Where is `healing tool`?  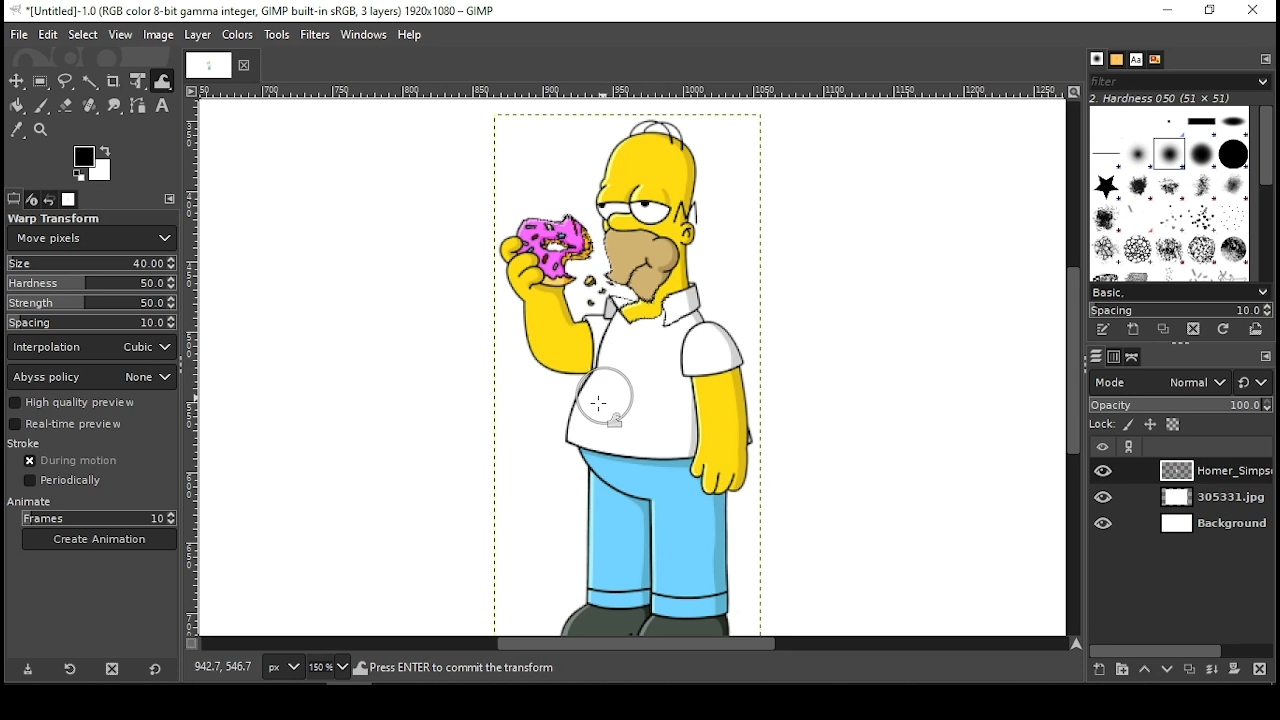
healing tool is located at coordinates (92, 106).